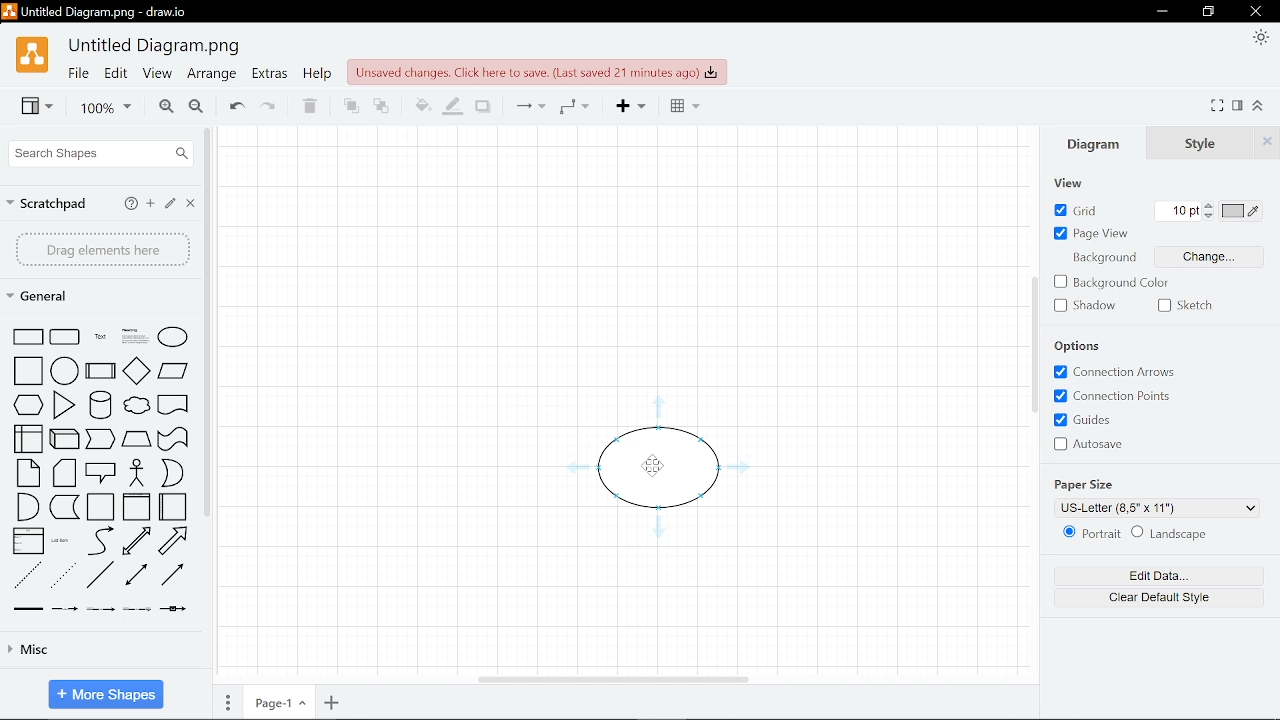 The image size is (1280, 720). Describe the element at coordinates (332, 702) in the screenshot. I see `Add page ` at that location.